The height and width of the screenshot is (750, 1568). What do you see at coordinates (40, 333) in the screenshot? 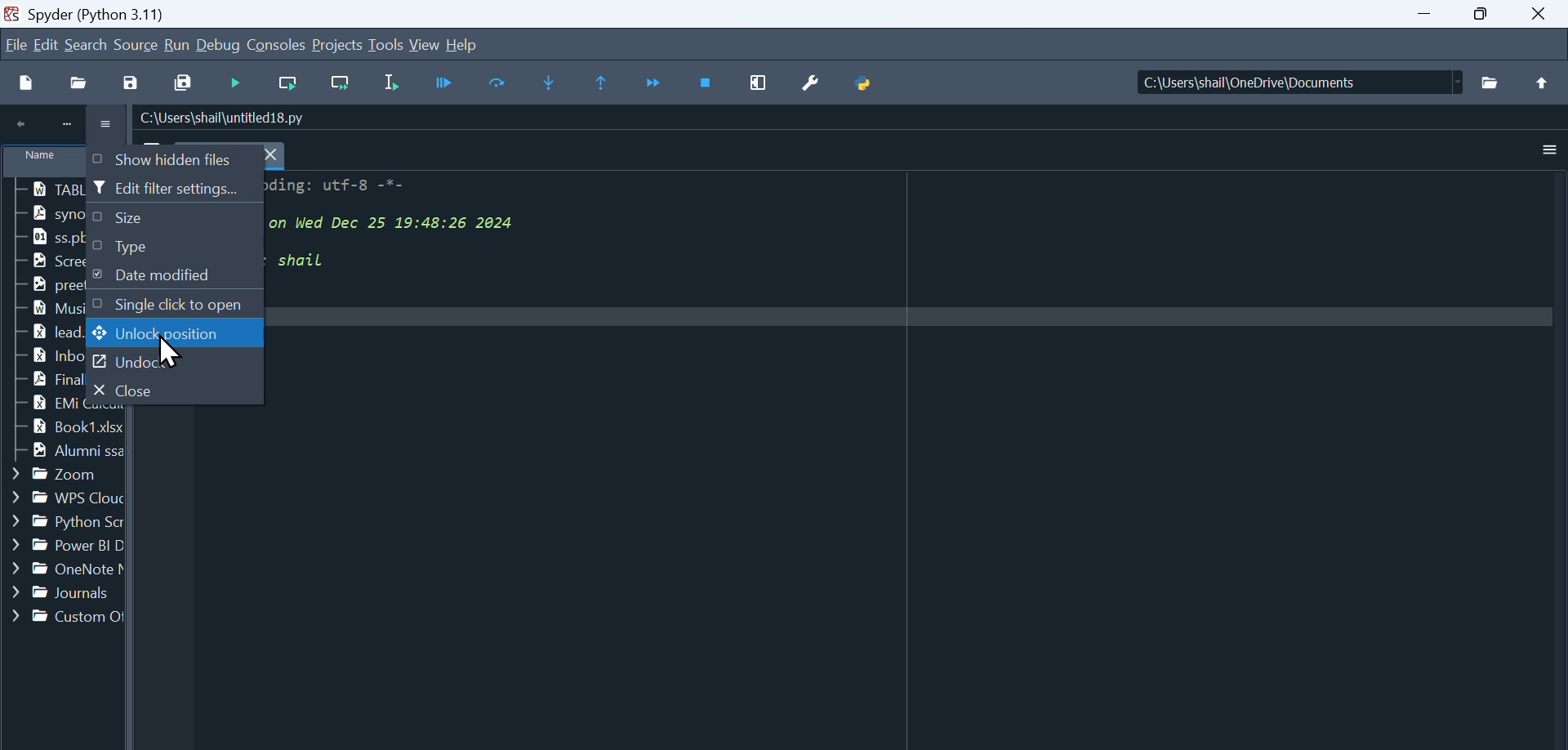
I see `lead xlsx..` at bounding box center [40, 333].